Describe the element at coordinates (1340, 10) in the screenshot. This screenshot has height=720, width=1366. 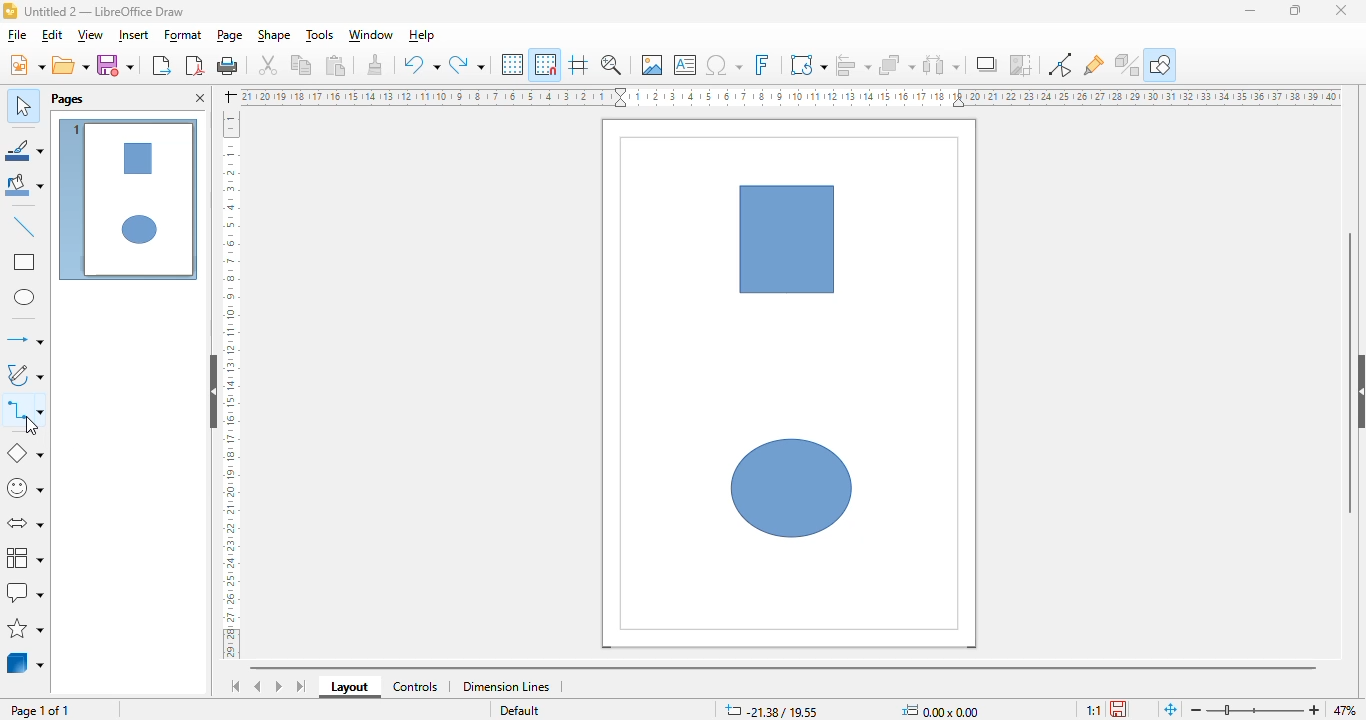
I see `close` at that location.